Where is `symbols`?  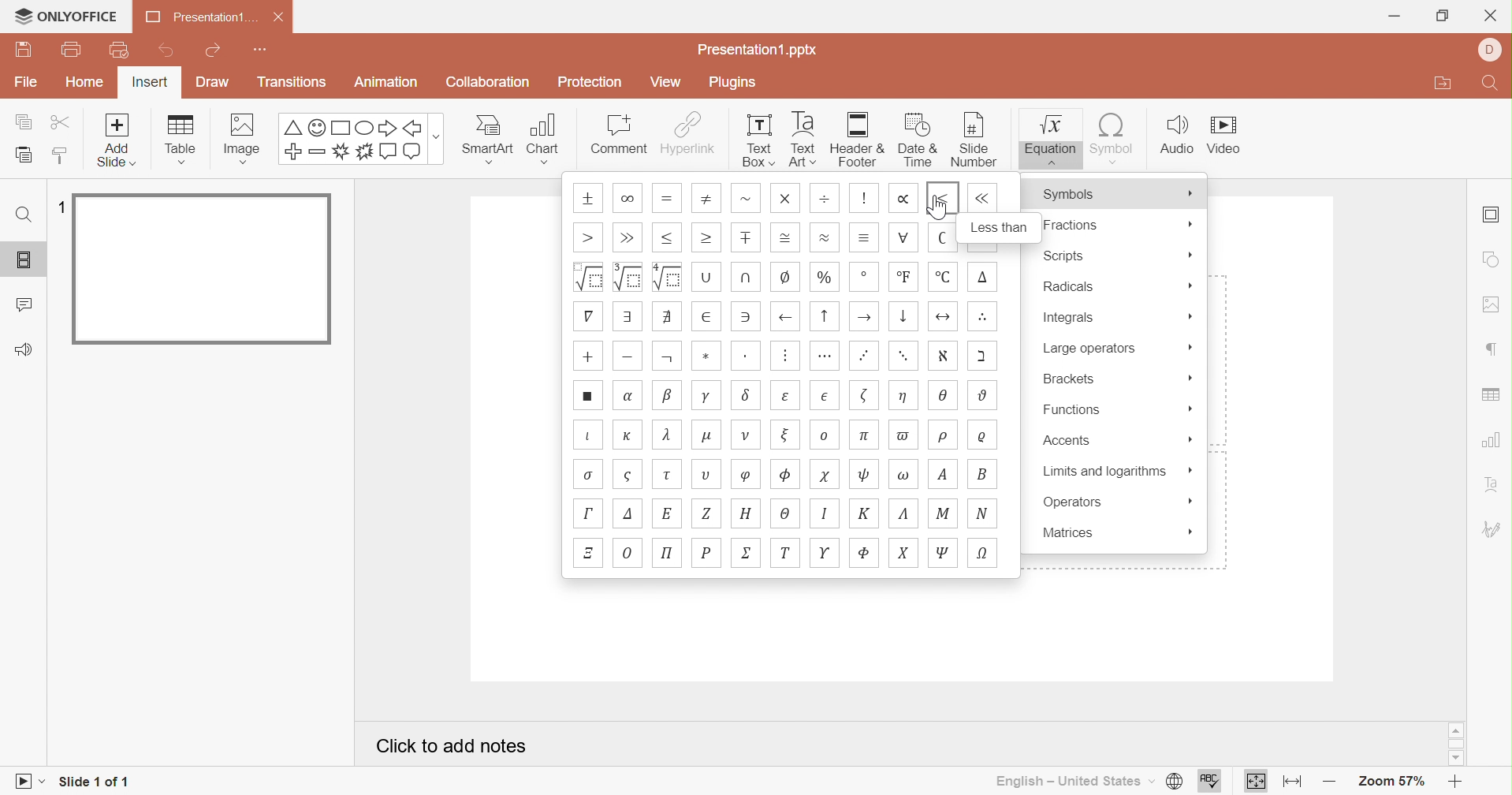 symbols is located at coordinates (983, 412).